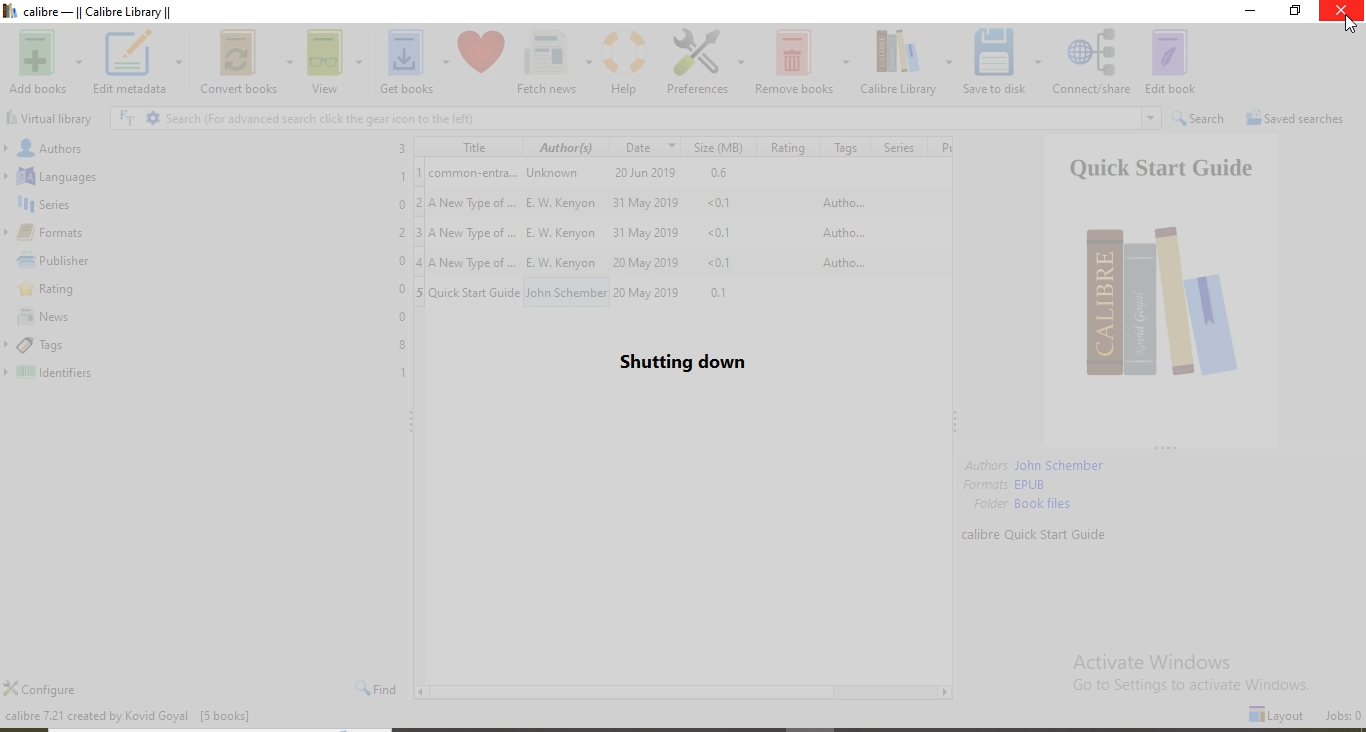 The image size is (1366, 732). What do you see at coordinates (566, 146) in the screenshot?
I see `Author` at bounding box center [566, 146].